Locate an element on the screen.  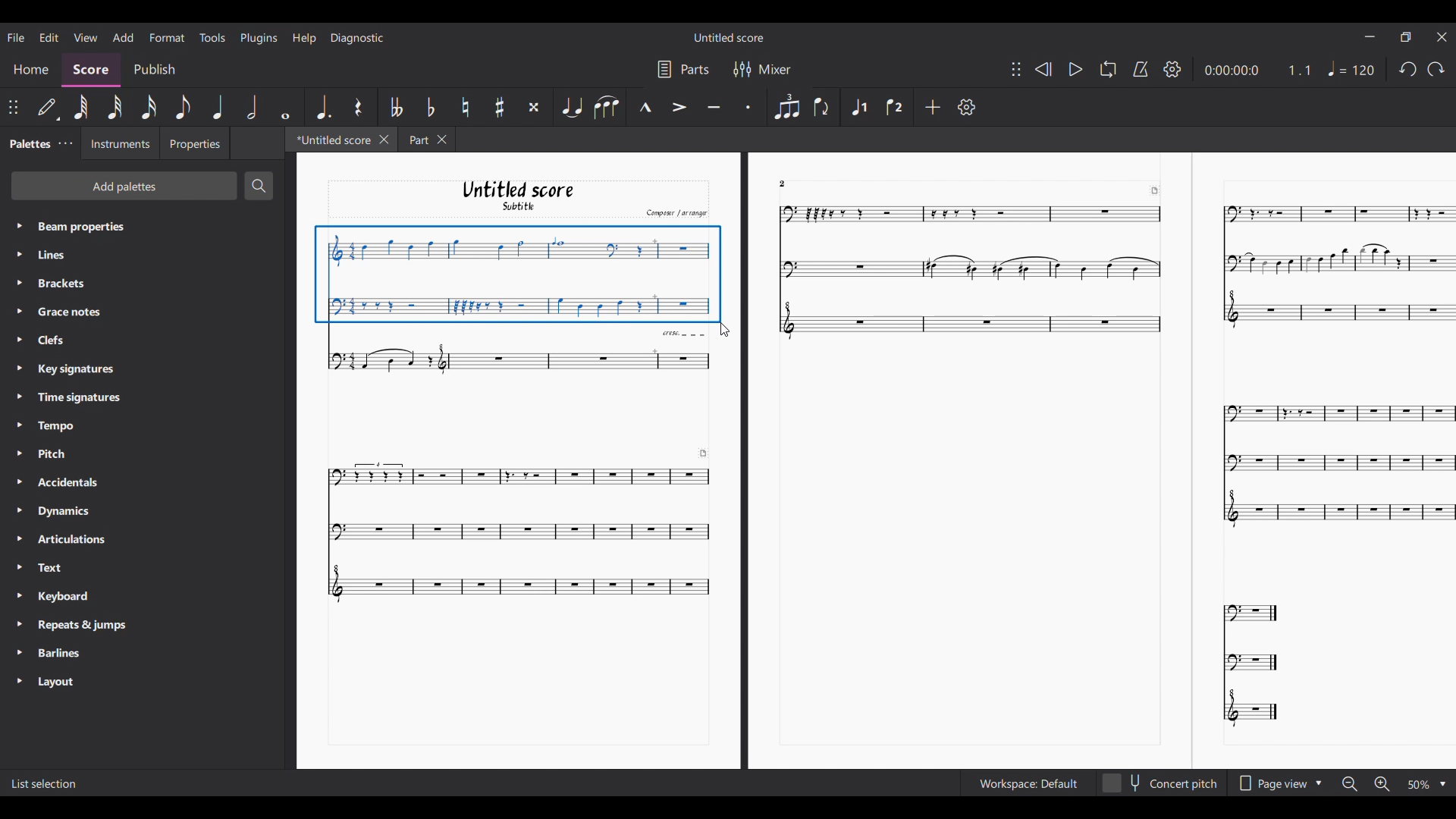
Undo is located at coordinates (1436, 72).